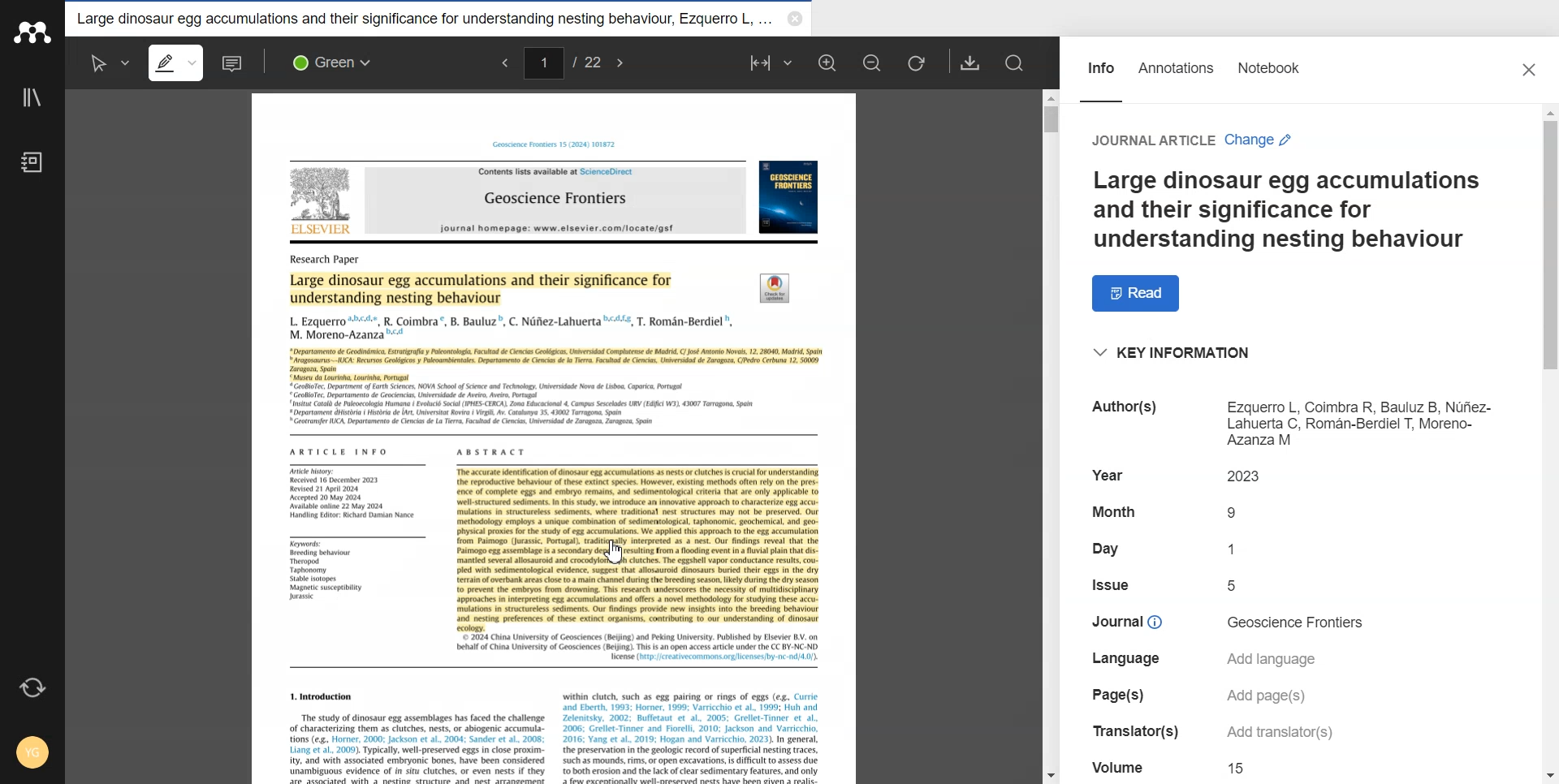 This screenshot has width=1559, height=784. What do you see at coordinates (555, 438) in the screenshot?
I see `document` at bounding box center [555, 438].